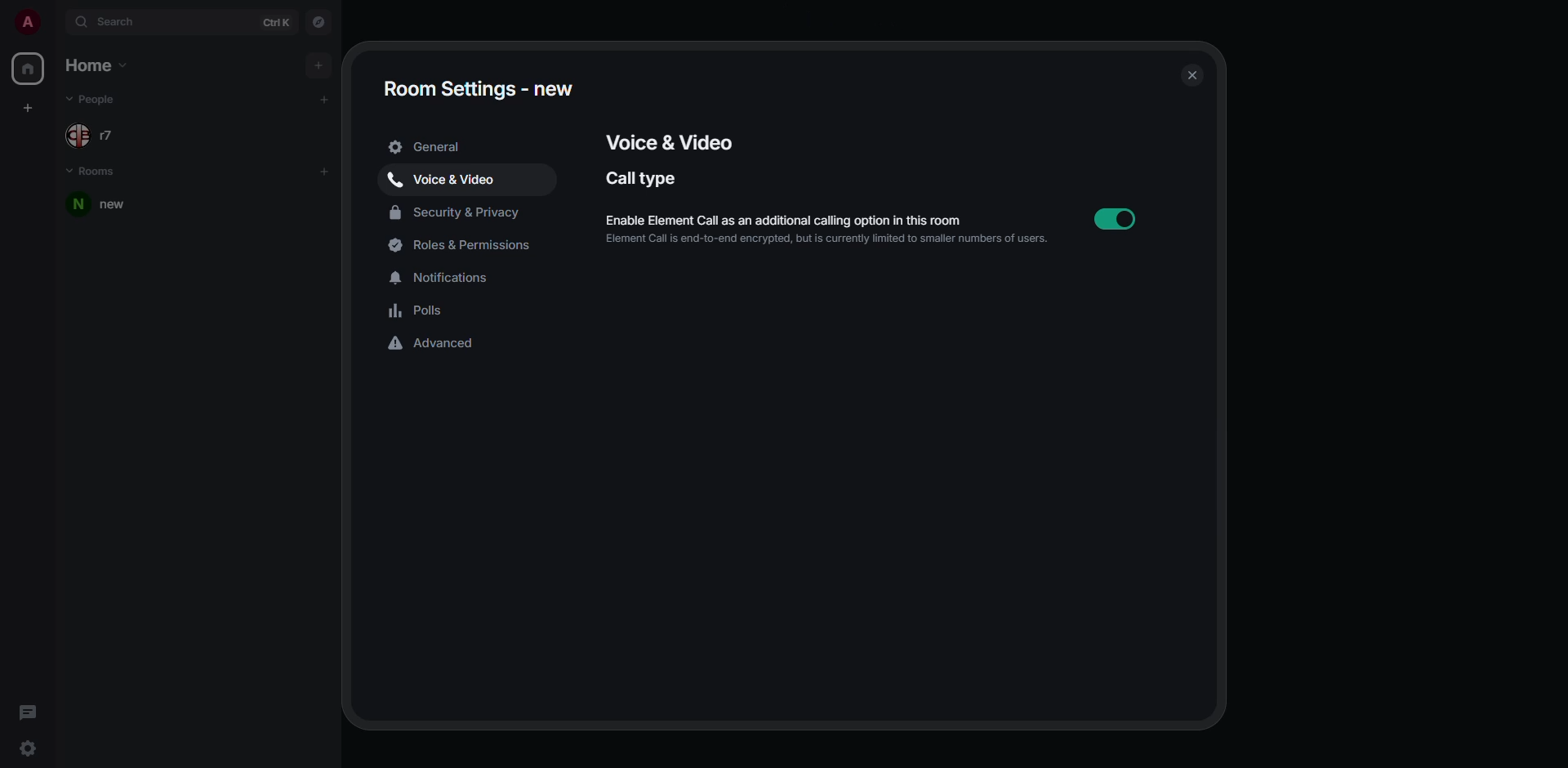 This screenshot has height=768, width=1568. What do you see at coordinates (325, 98) in the screenshot?
I see `add` at bounding box center [325, 98].